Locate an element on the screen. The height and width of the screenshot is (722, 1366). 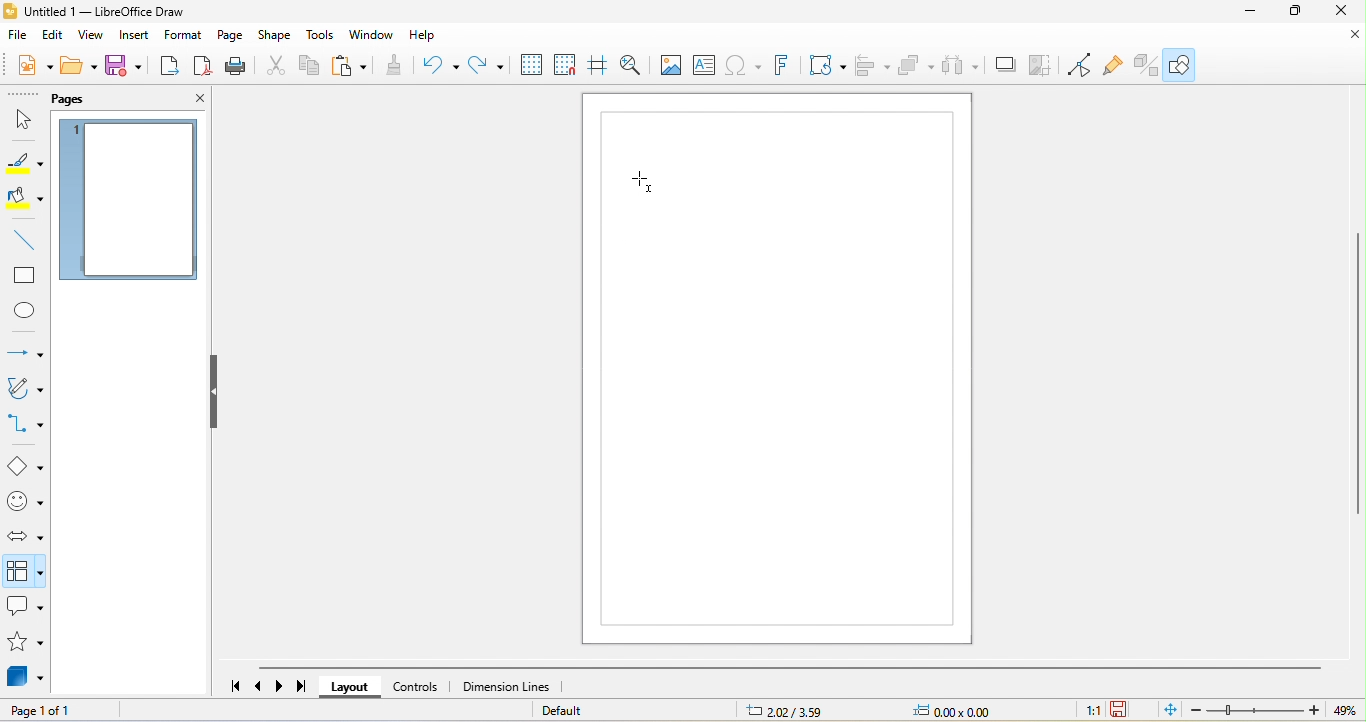
basic shape is located at coordinates (26, 467).